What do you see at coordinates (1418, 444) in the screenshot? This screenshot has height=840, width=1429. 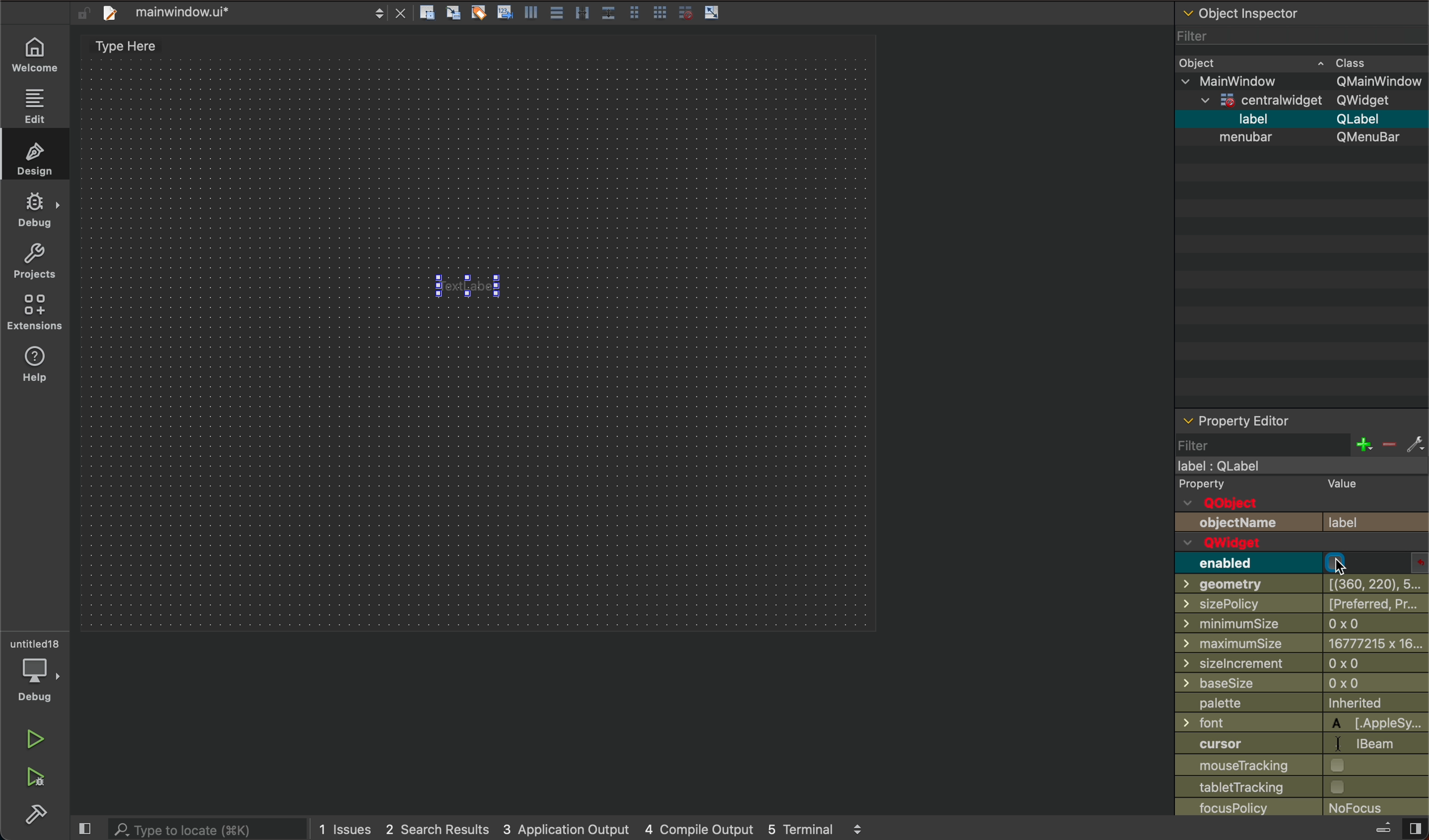 I see `fix` at bounding box center [1418, 444].